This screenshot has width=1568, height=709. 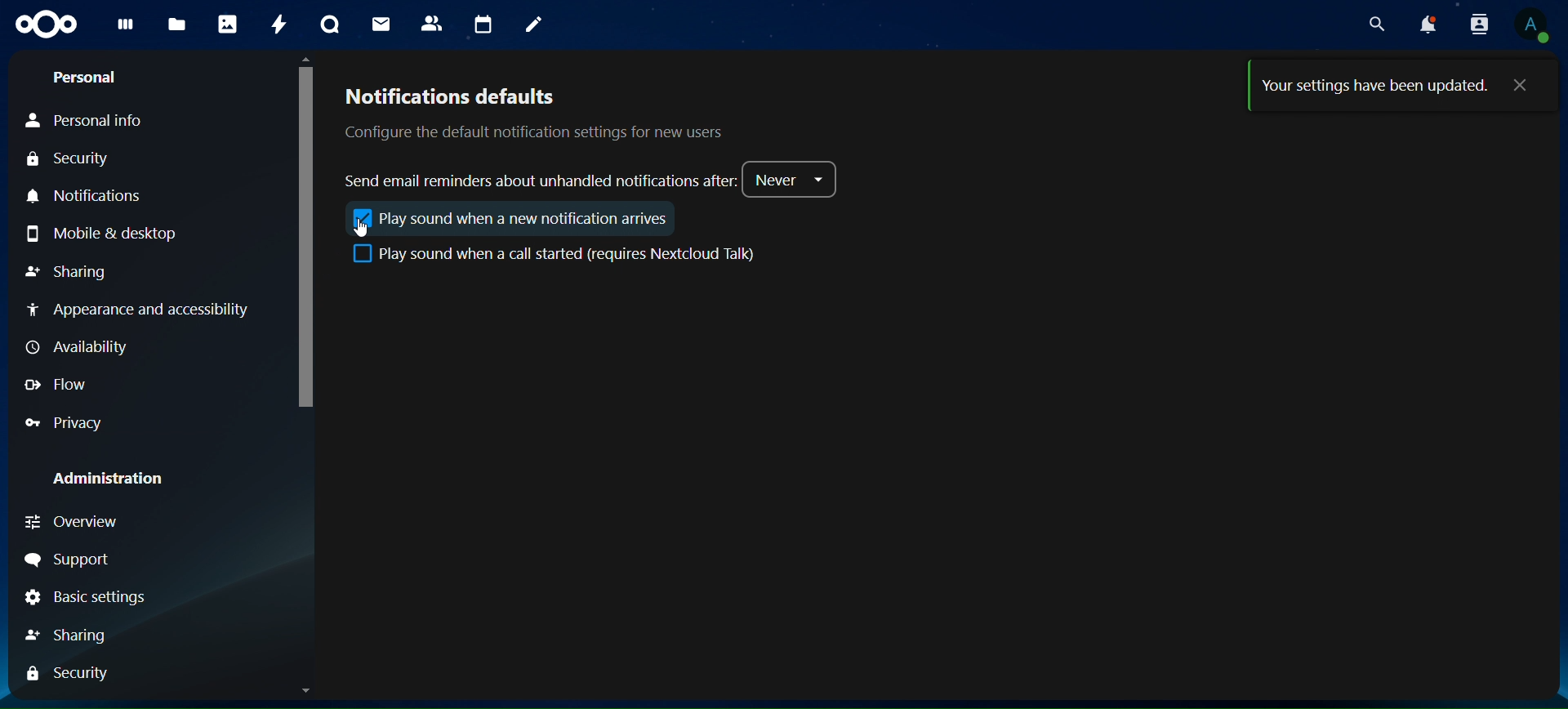 I want to click on Sharing, so click(x=68, y=636).